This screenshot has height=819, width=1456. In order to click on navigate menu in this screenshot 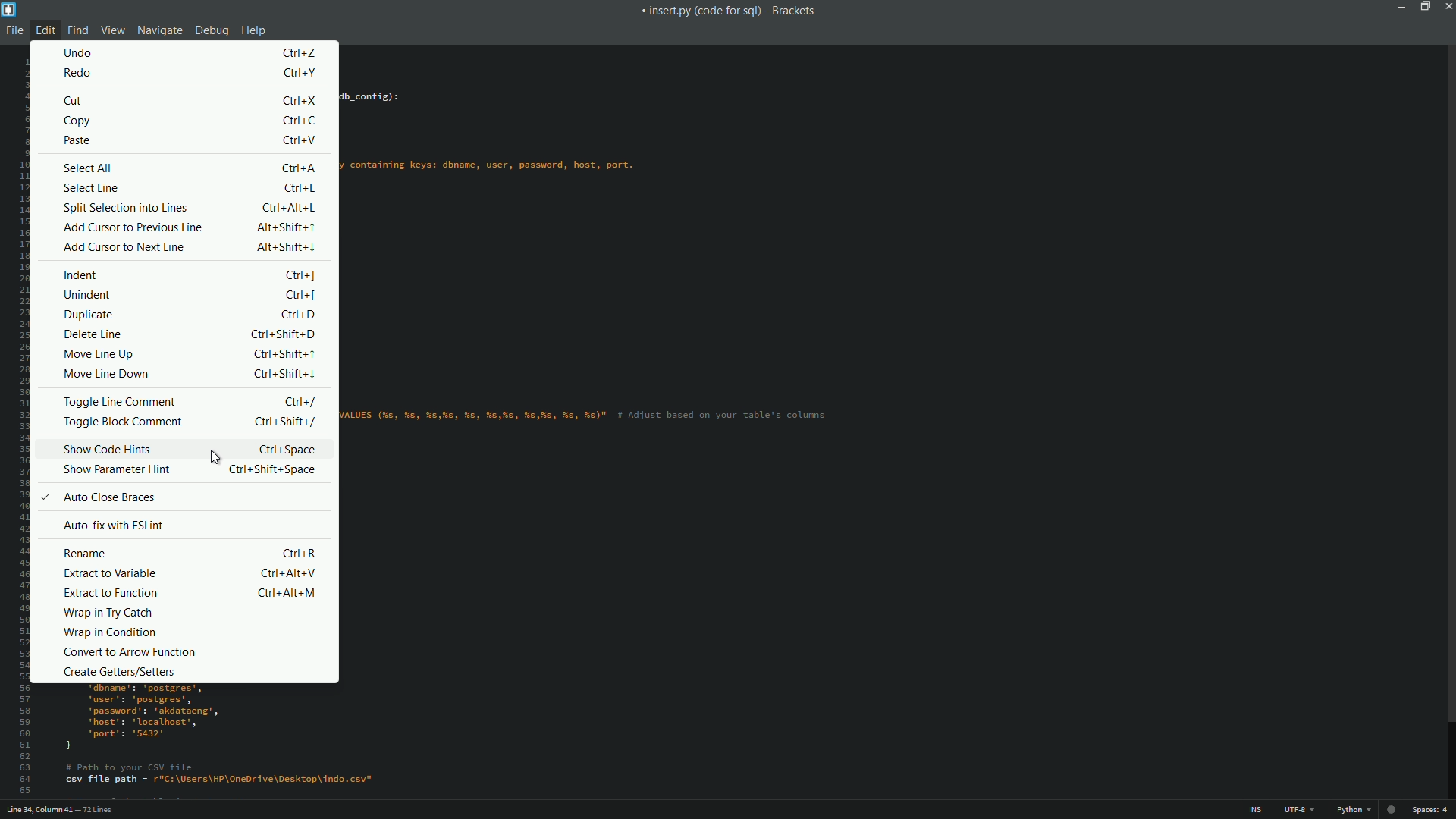, I will do `click(158, 30)`.